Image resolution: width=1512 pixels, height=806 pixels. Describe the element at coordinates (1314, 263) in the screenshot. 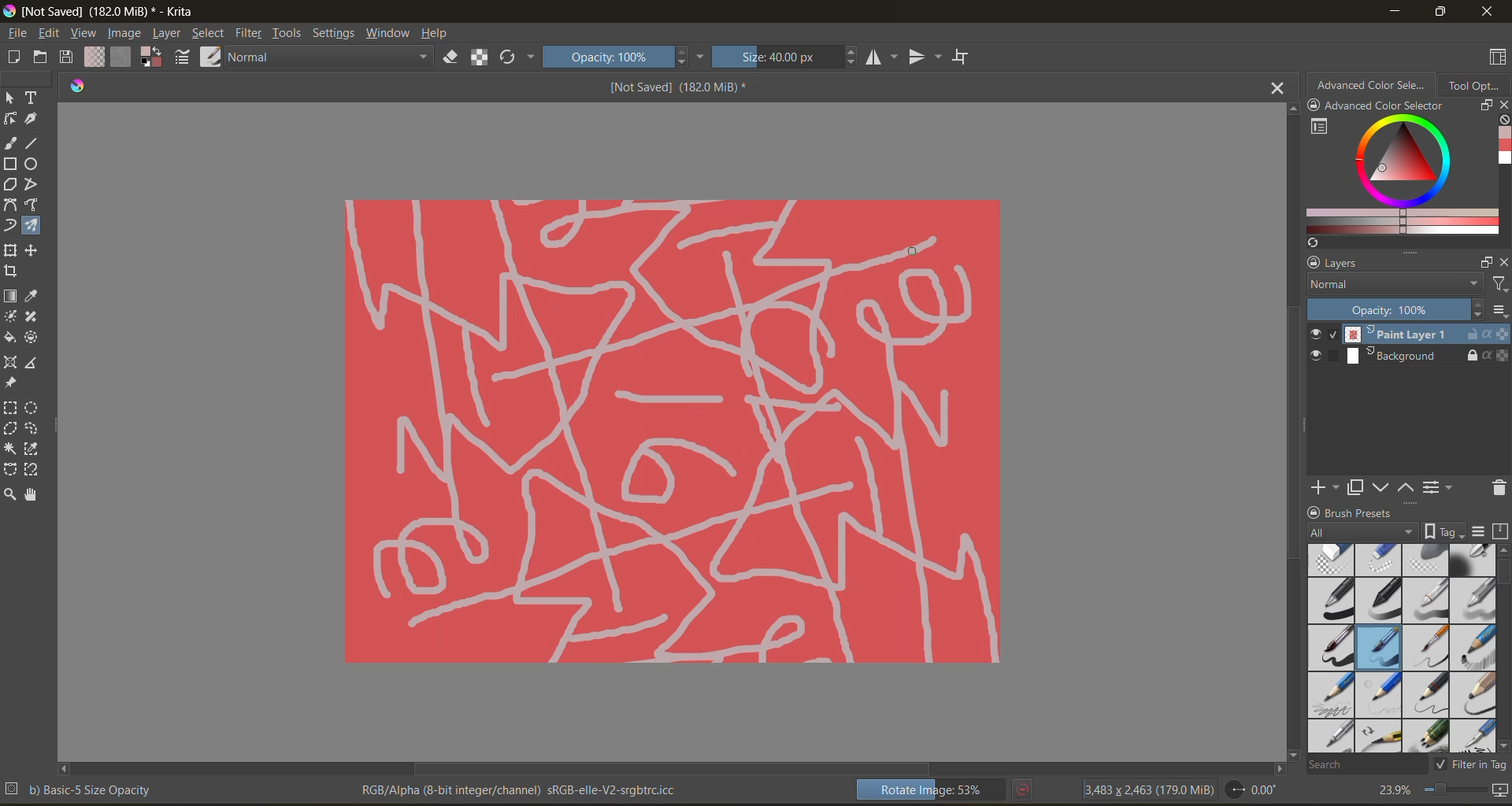

I see `lock docker` at that location.